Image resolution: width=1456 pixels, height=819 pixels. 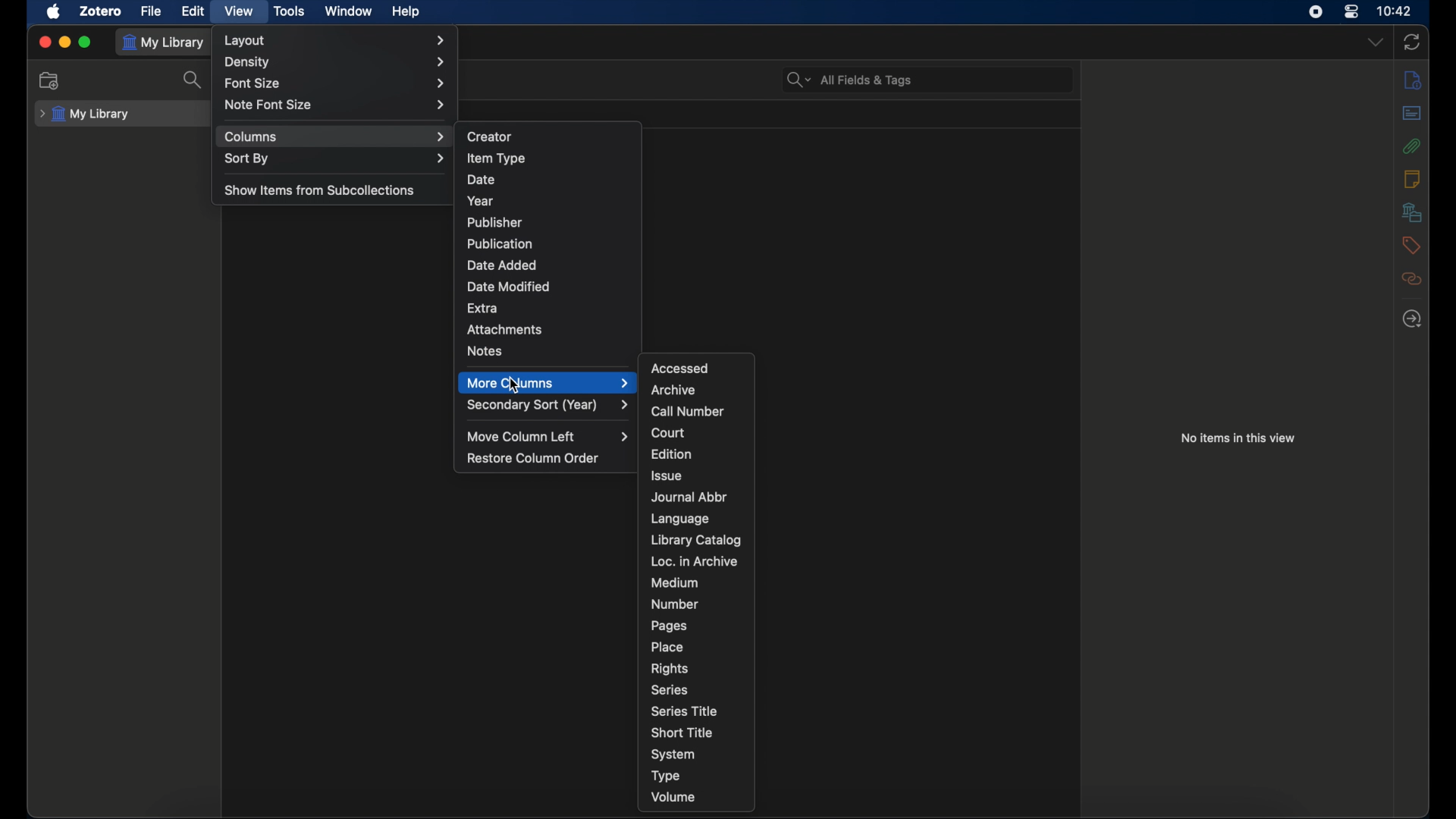 What do you see at coordinates (548, 436) in the screenshot?
I see `move column left` at bounding box center [548, 436].